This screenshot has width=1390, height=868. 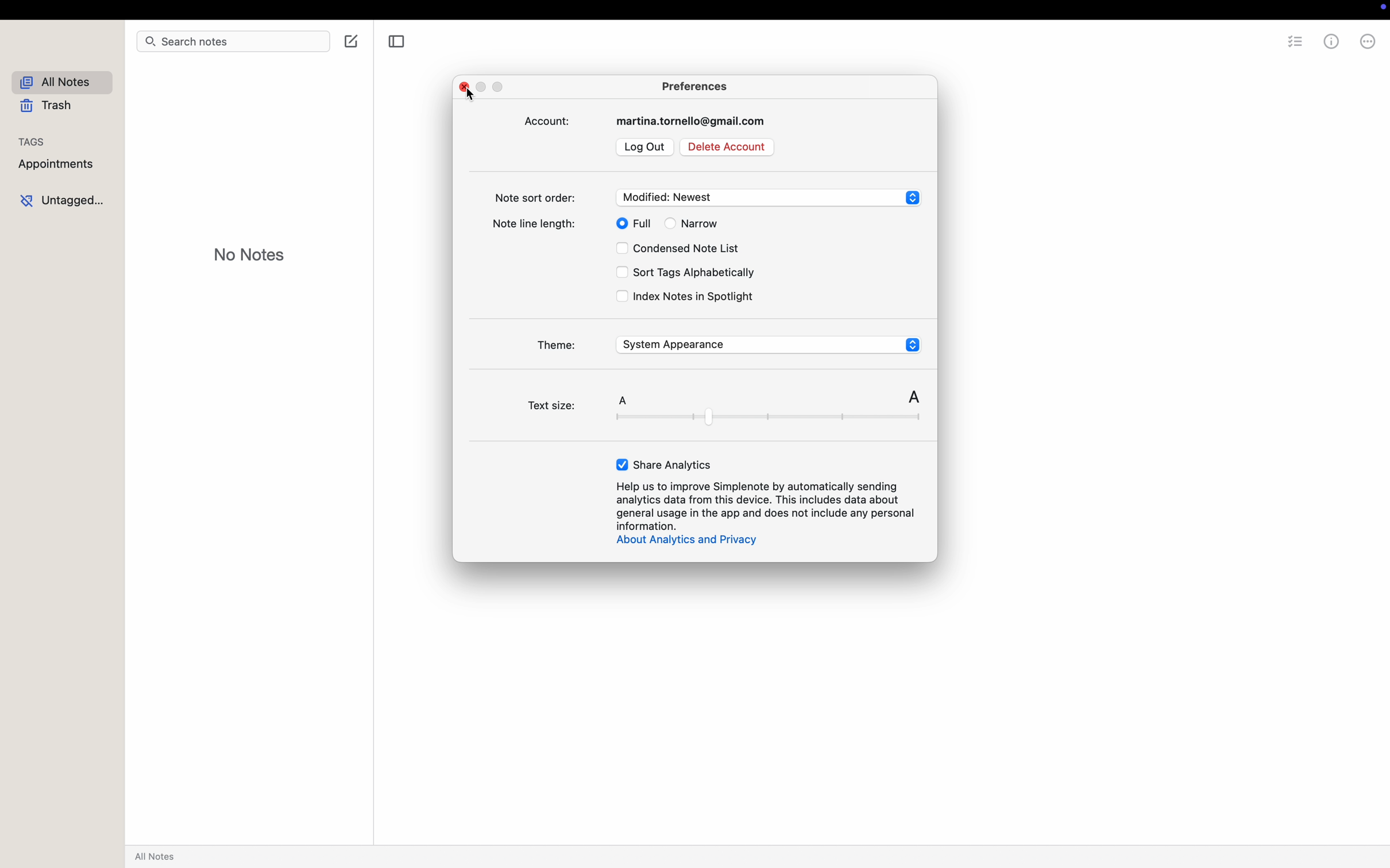 I want to click on text size, so click(x=723, y=409).